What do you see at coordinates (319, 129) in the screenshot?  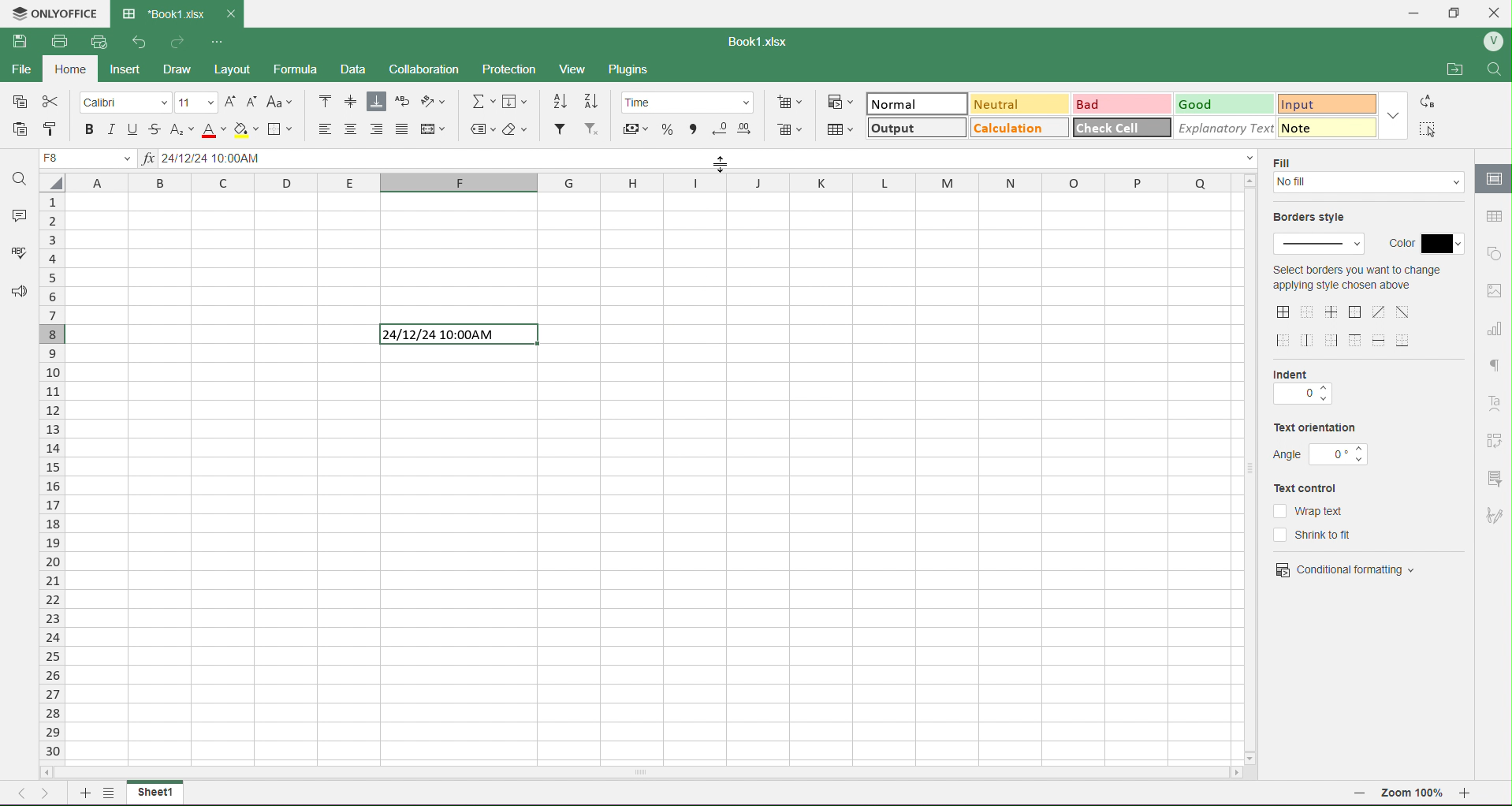 I see `Align Left` at bounding box center [319, 129].